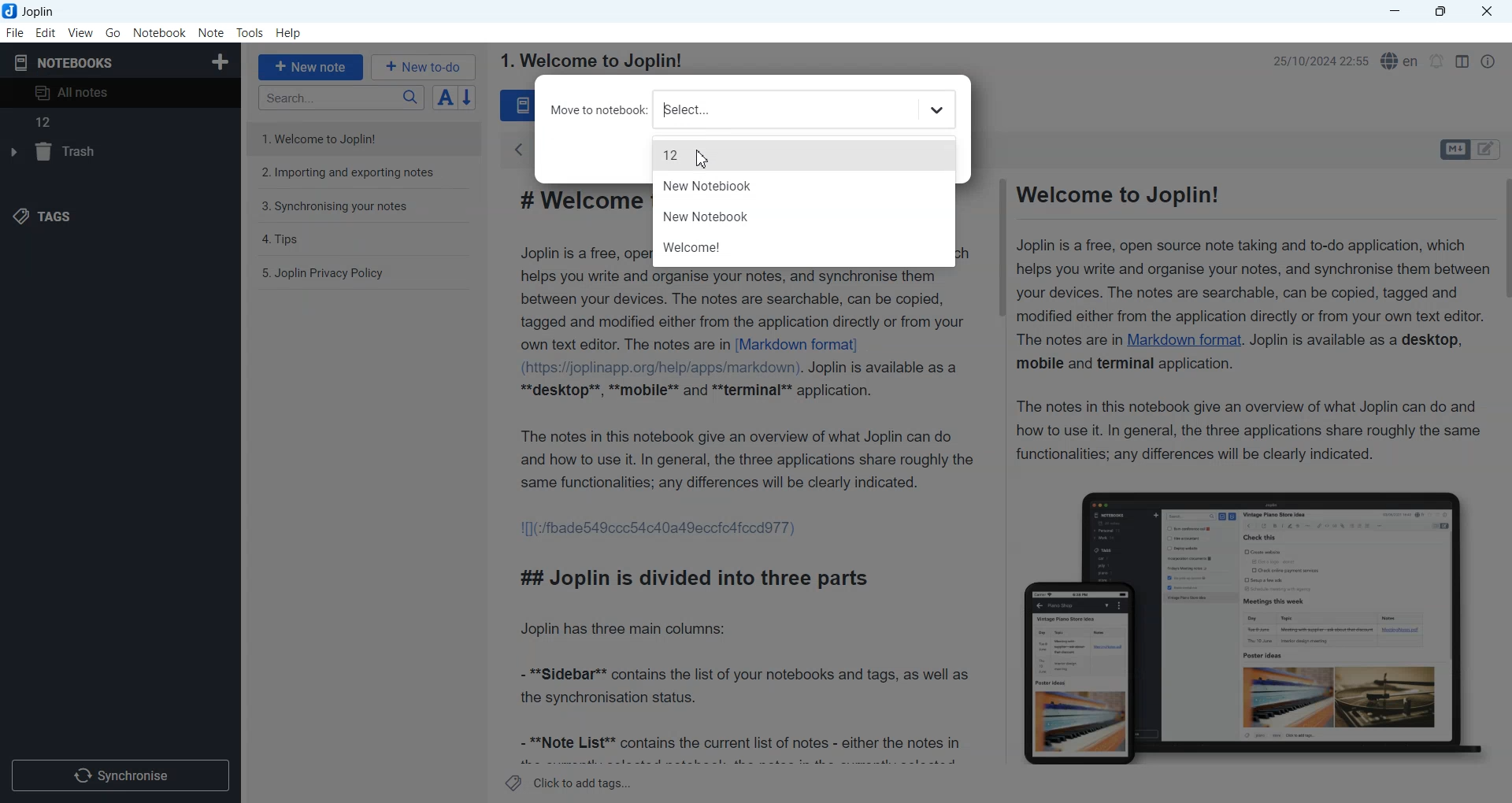 The width and height of the screenshot is (1512, 803). Describe the element at coordinates (804, 216) in the screenshot. I see `New Notebook` at that location.